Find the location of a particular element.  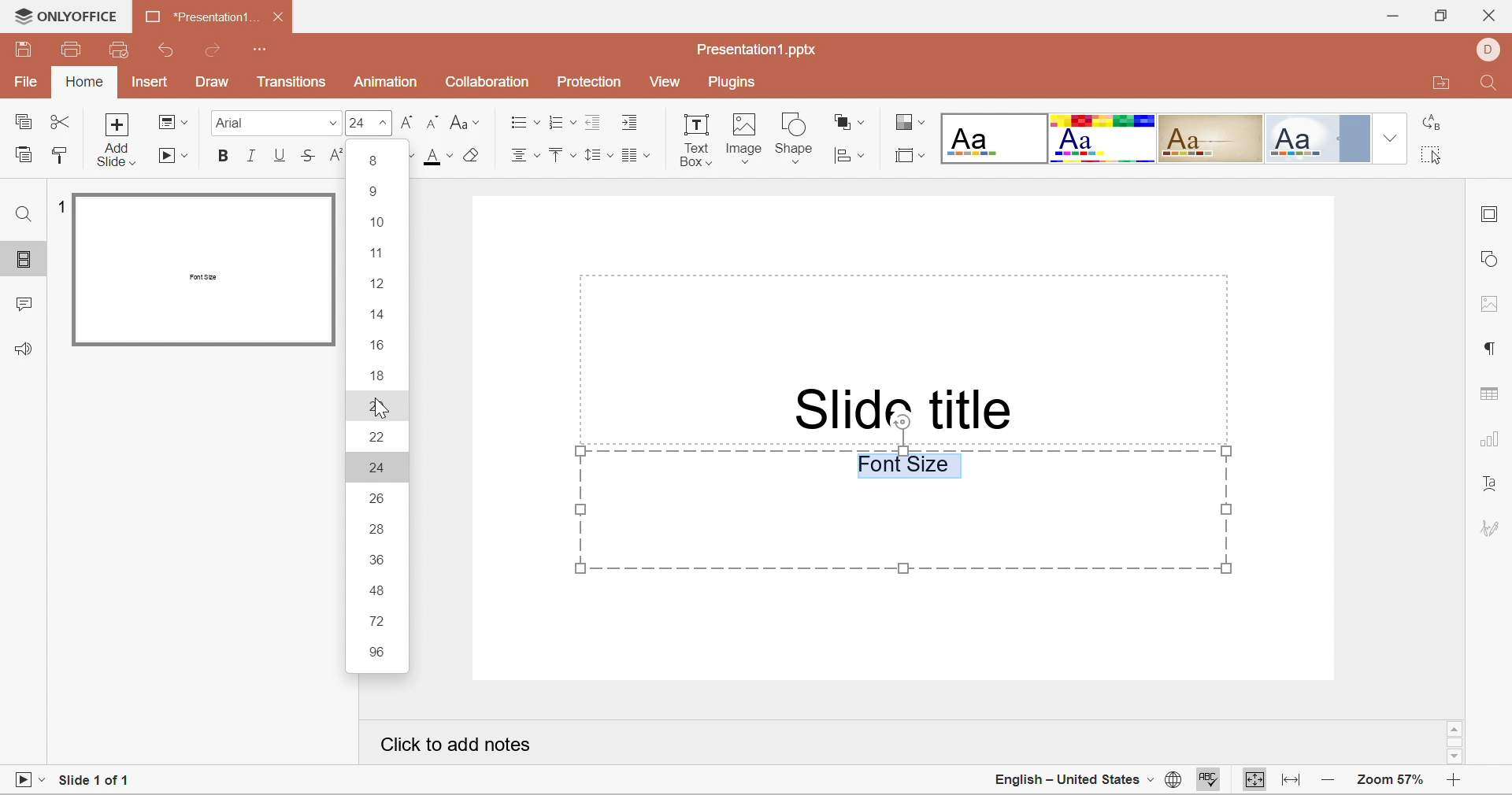

26 is located at coordinates (376, 498).